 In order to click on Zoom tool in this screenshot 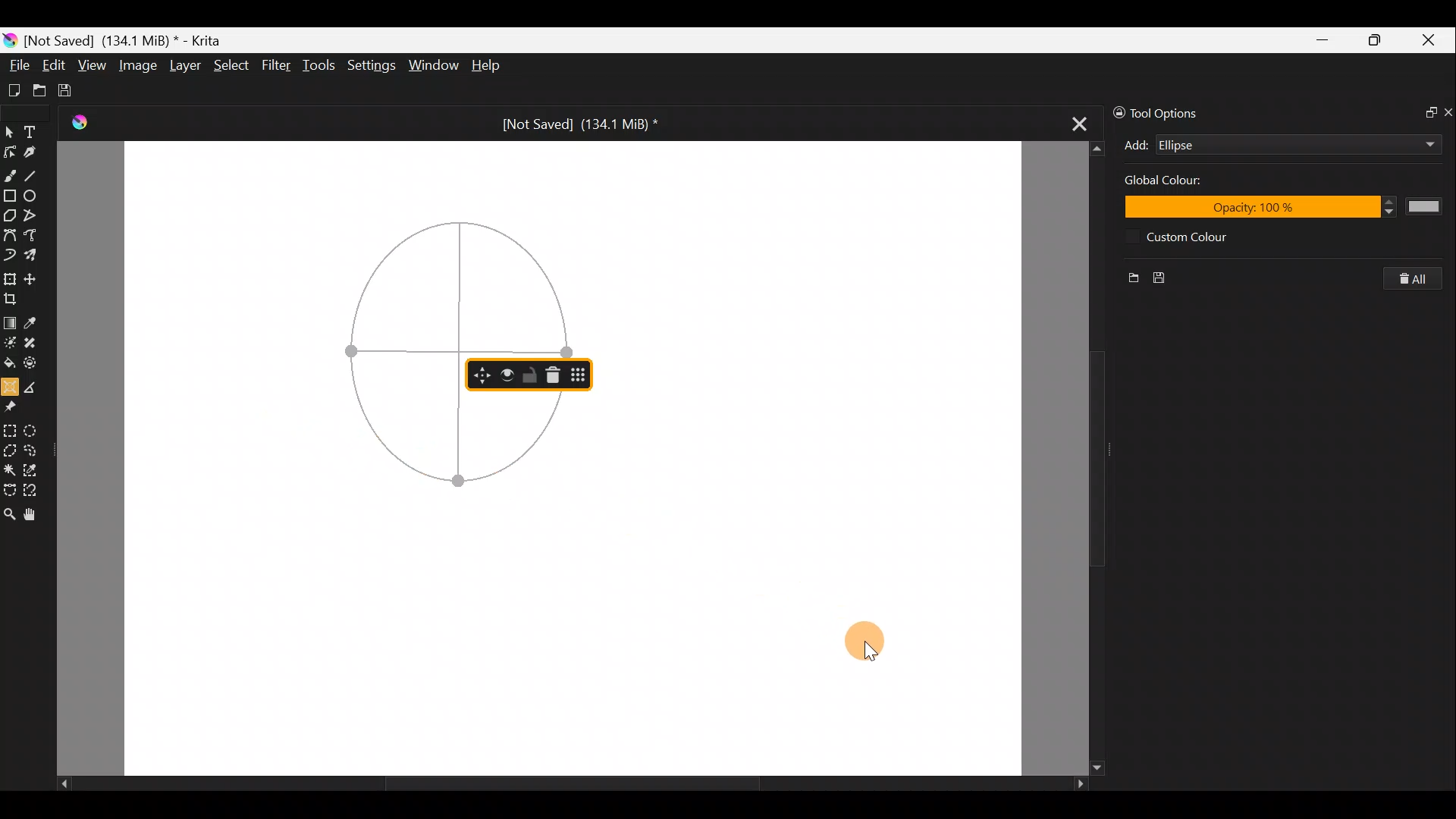, I will do `click(9, 513)`.